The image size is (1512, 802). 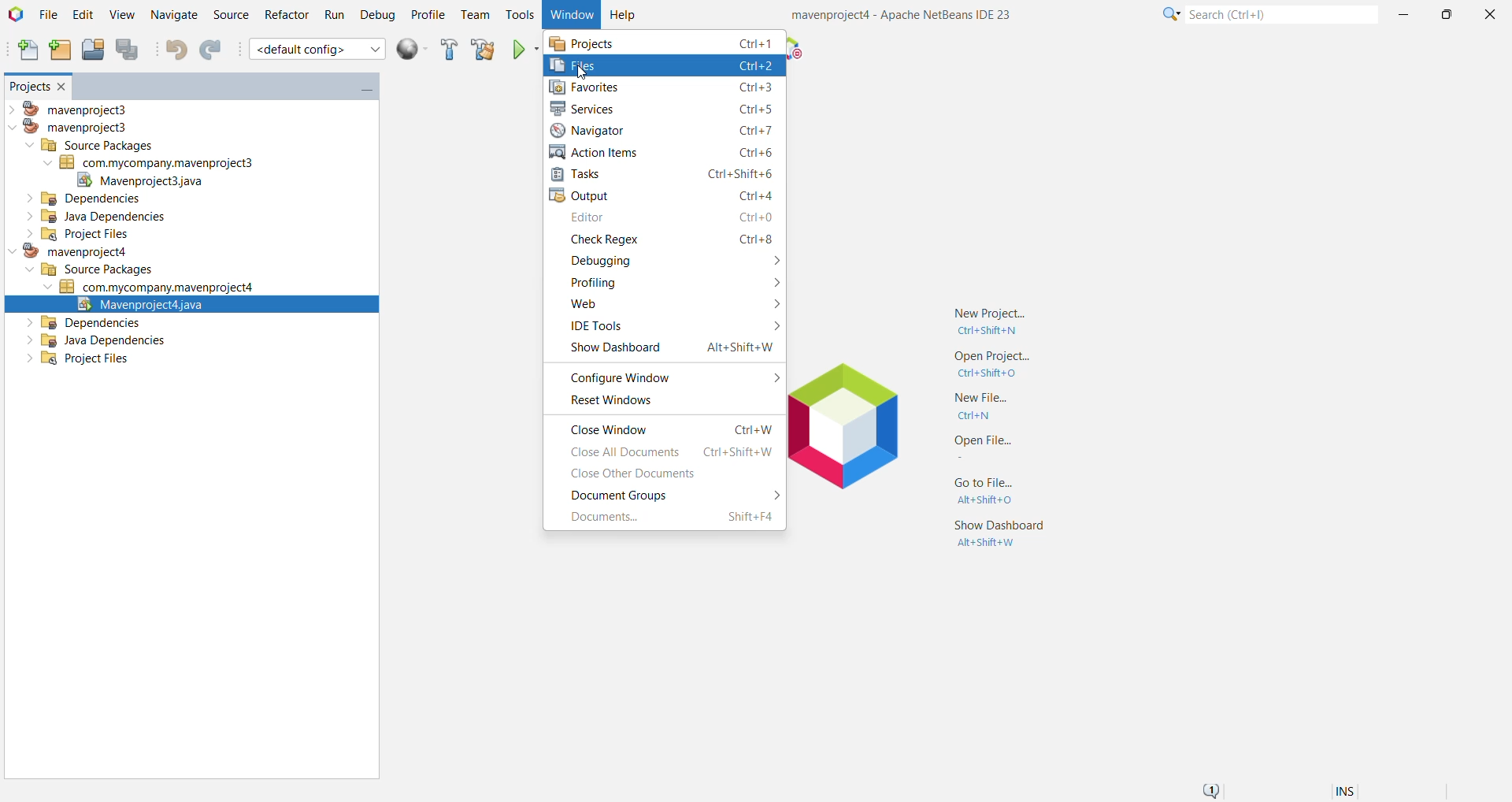 I want to click on Documents, so click(x=672, y=518).